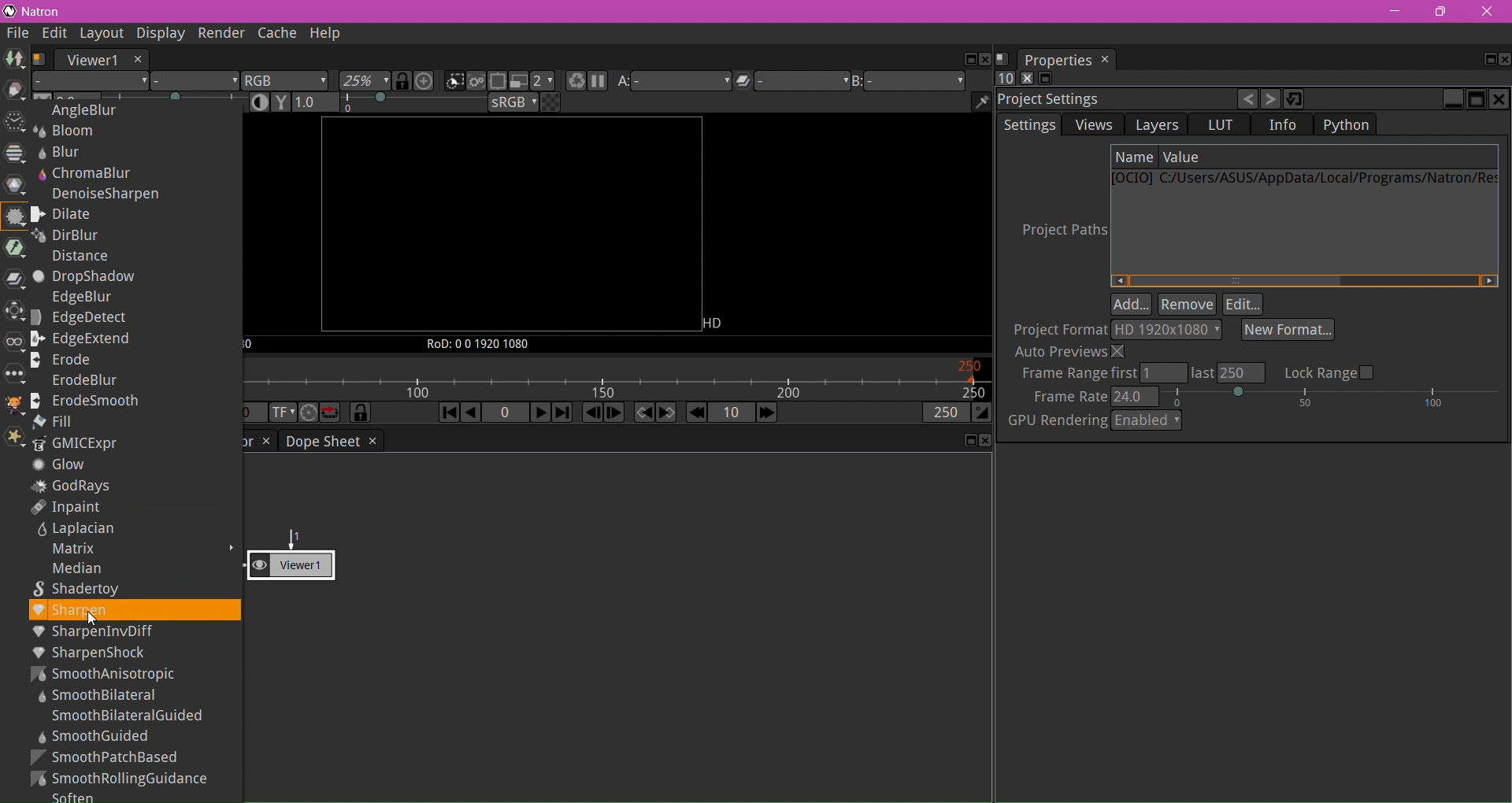 This screenshot has width=1512, height=803. Describe the element at coordinates (13, 249) in the screenshot. I see `Keyer` at that location.